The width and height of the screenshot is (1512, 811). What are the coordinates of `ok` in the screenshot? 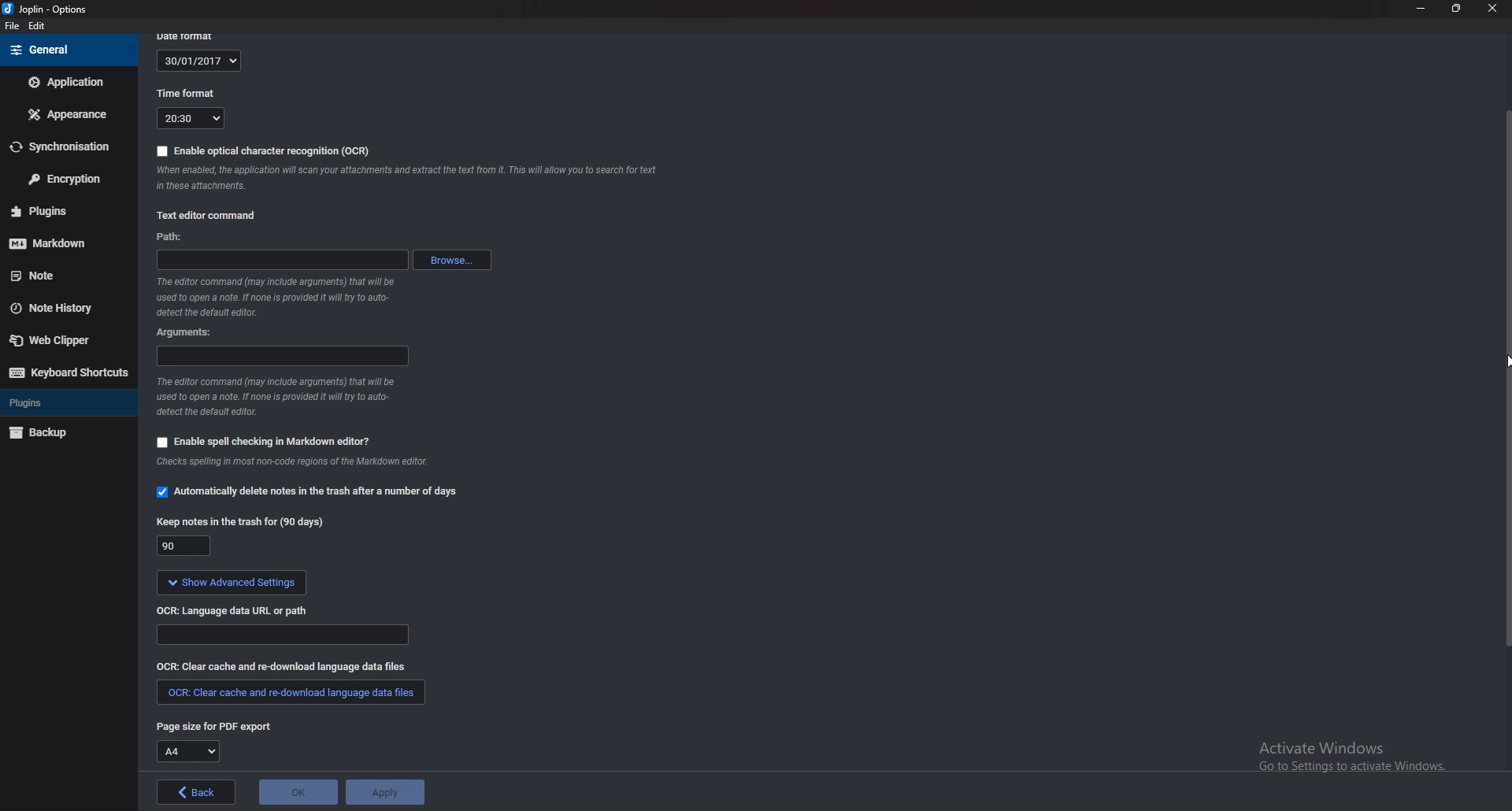 It's located at (298, 793).